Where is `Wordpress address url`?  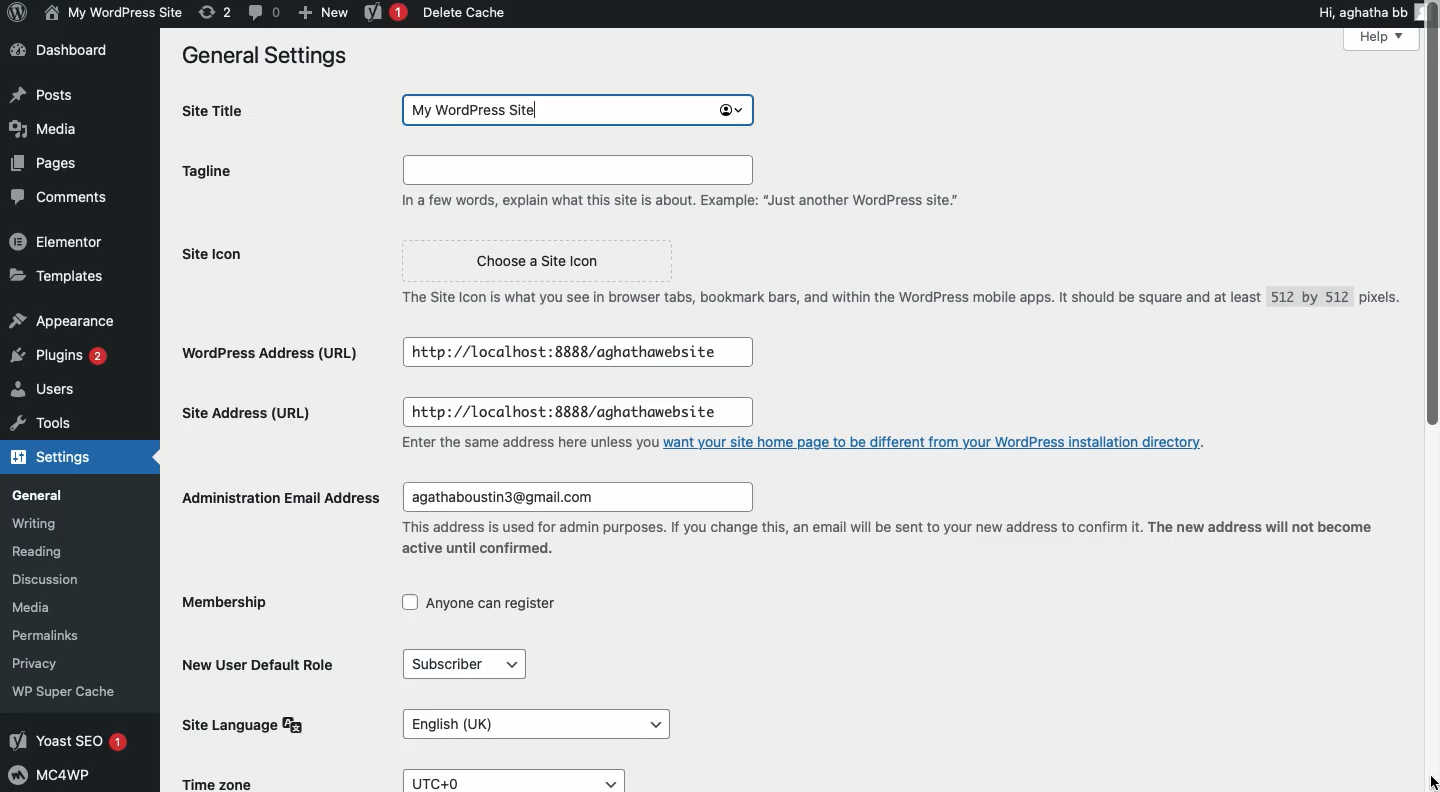
Wordpress address url is located at coordinates (269, 359).